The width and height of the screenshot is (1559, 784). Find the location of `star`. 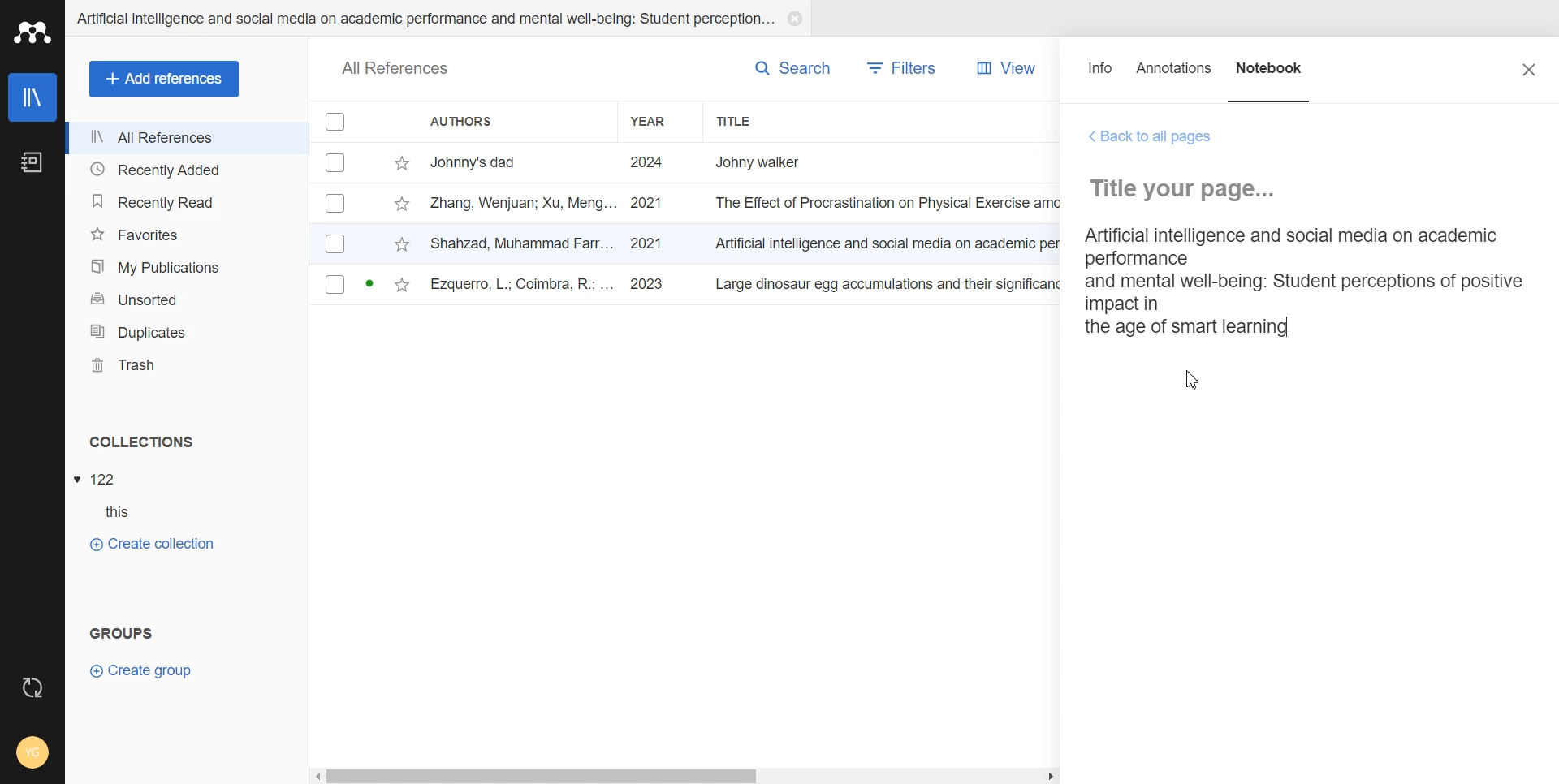

star is located at coordinates (402, 164).